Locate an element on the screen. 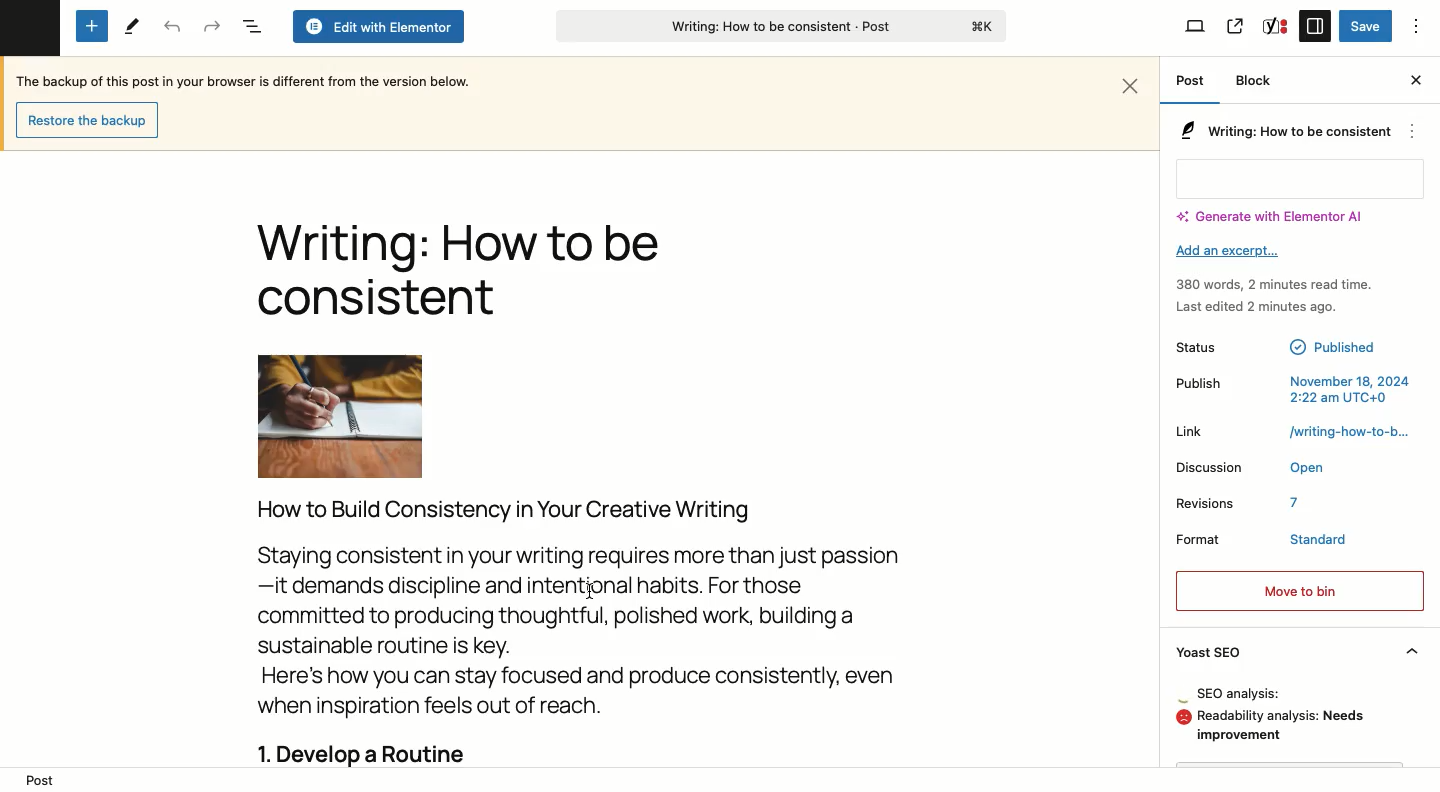 The image size is (1440, 792). Image is located at coordinates (340, 416).